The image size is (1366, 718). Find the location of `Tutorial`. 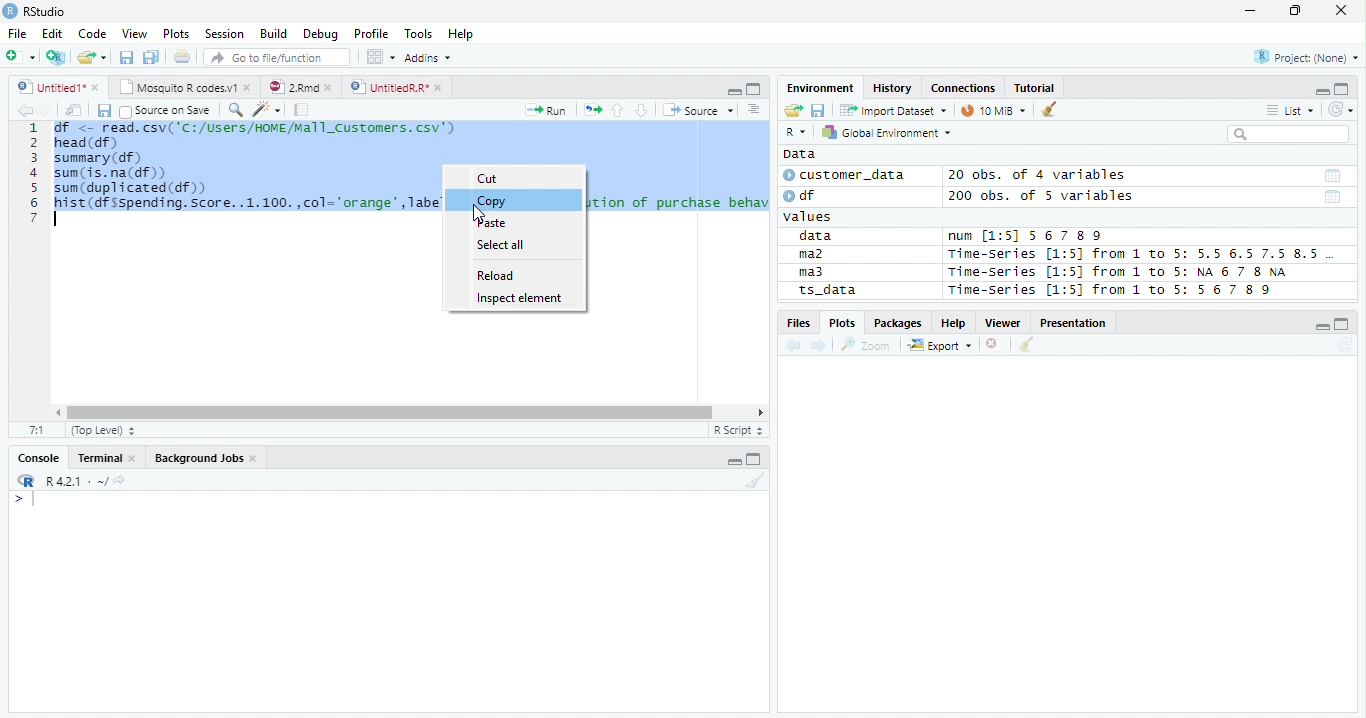

Tutorial is located at coordinates (1035, 87).